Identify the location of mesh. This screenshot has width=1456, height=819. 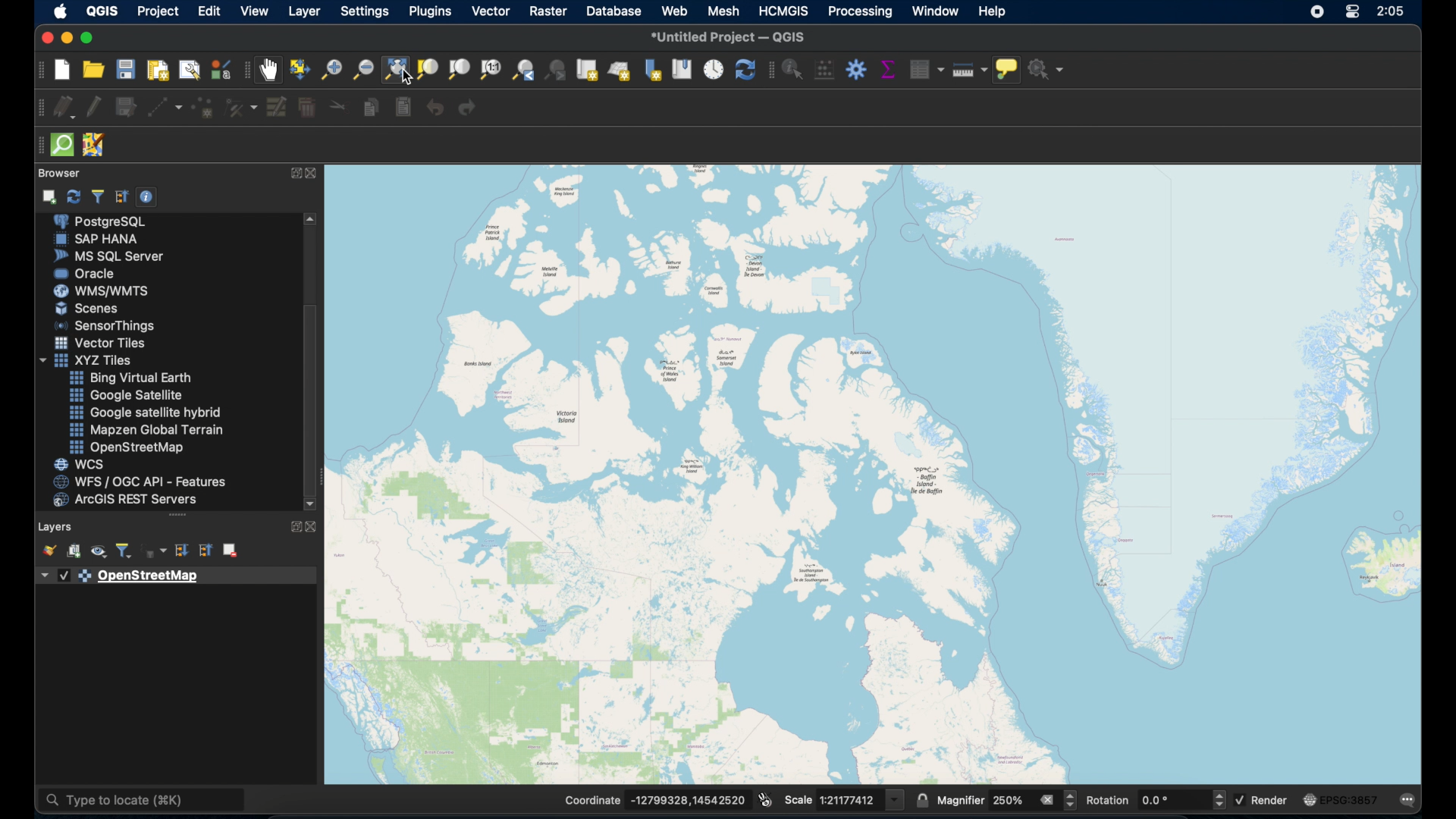
(721, 11).